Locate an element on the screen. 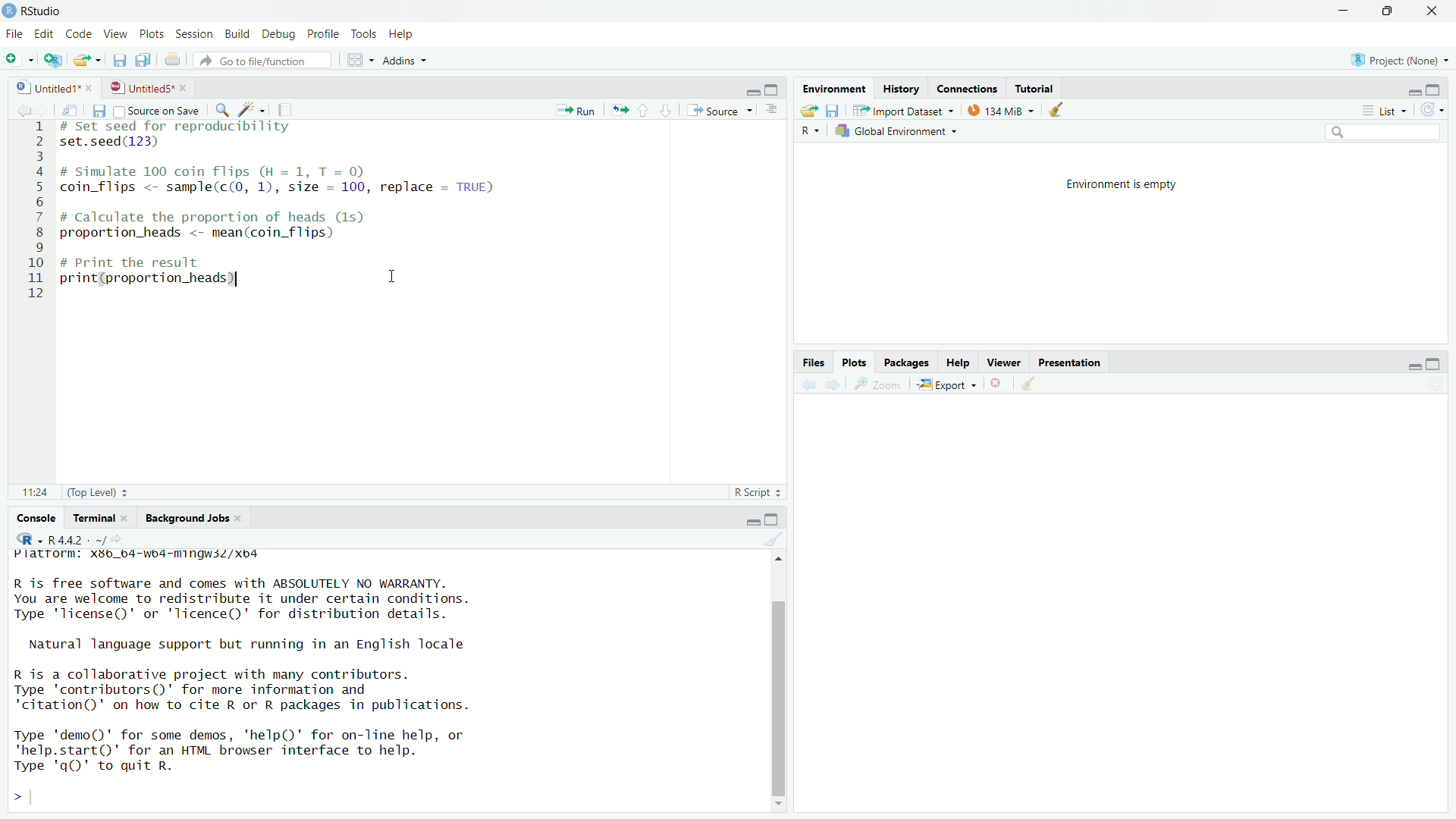 The width and height of the screenshot is (1456, 819). environment is empty is located at coordinates (1125, 188).